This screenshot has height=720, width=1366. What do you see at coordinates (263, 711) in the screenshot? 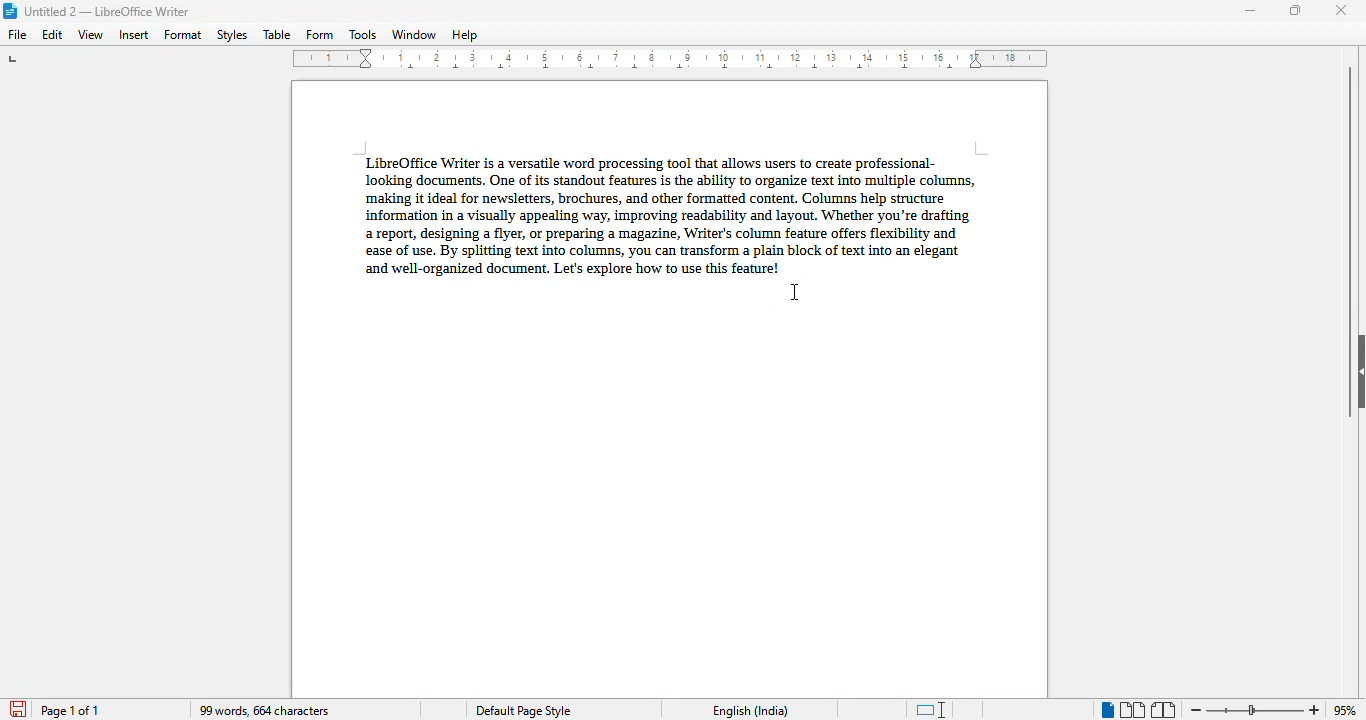
I see `99 words, 664 characters` at bounding box center [263, 711].